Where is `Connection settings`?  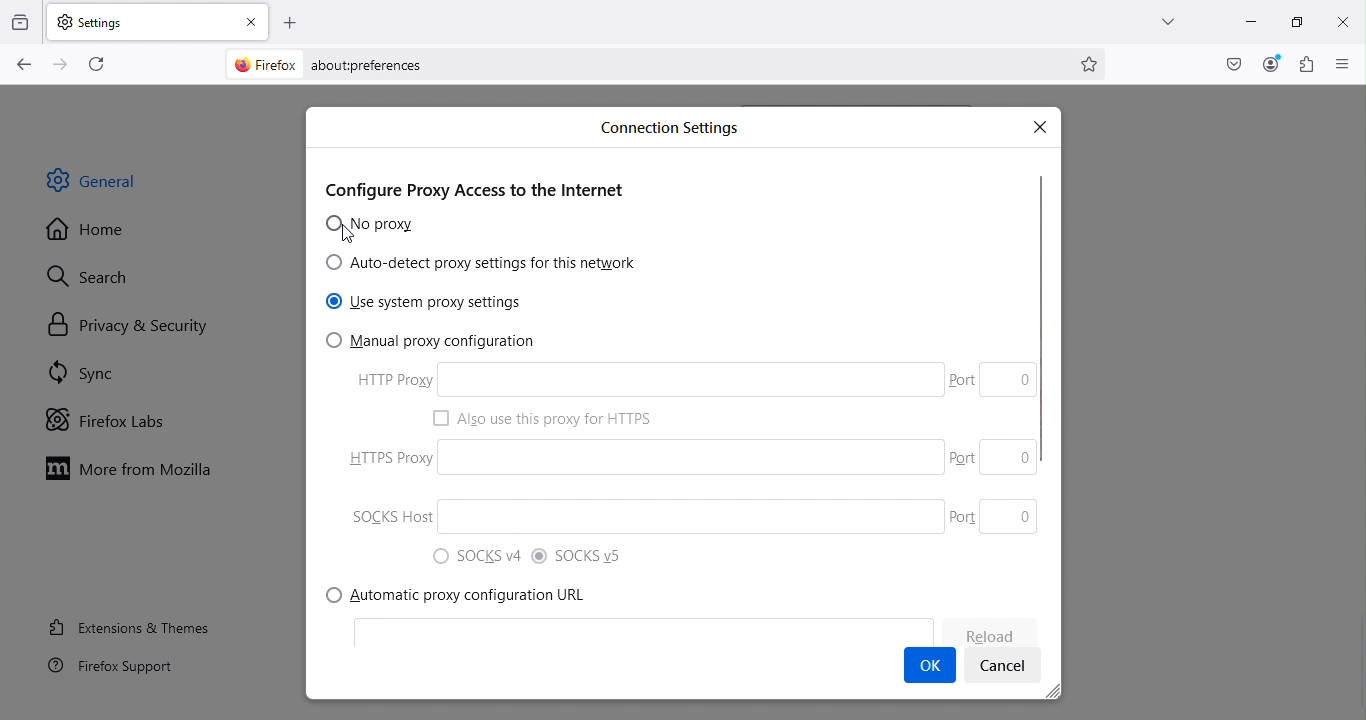 Connection settings is located at coordinates (678, 131).